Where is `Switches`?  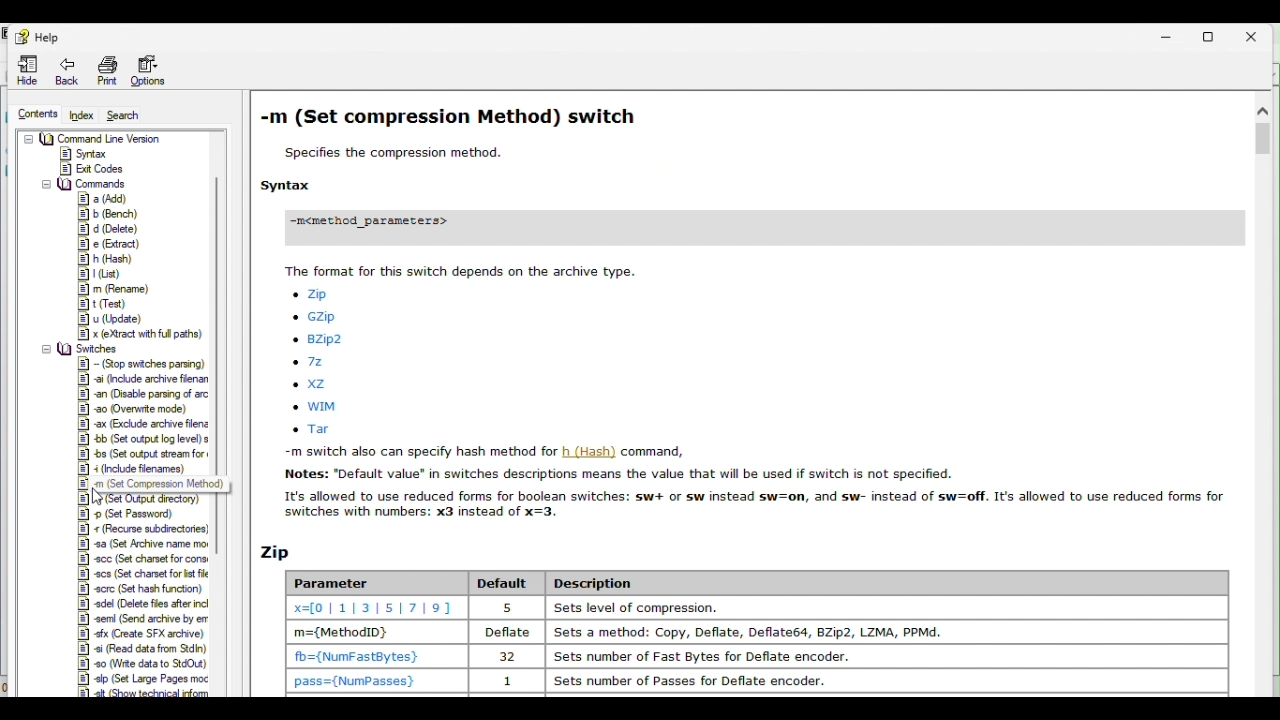 Switches is located at coordinates (84, 348).